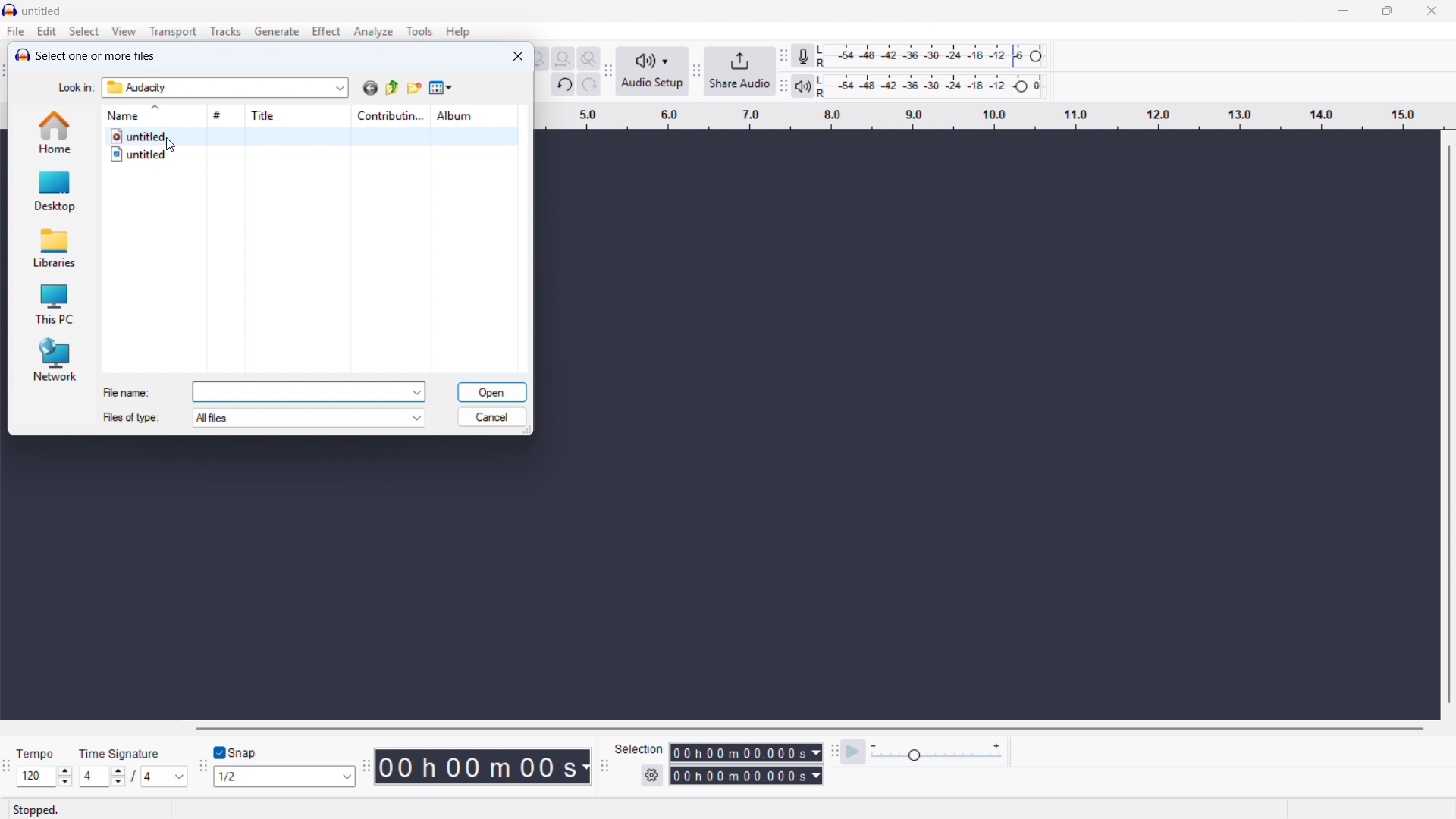 The width and height of the screenshot is (1456, 819). Describe the element at coordinates (937, 752) in the screenshot. I see `` at that location.